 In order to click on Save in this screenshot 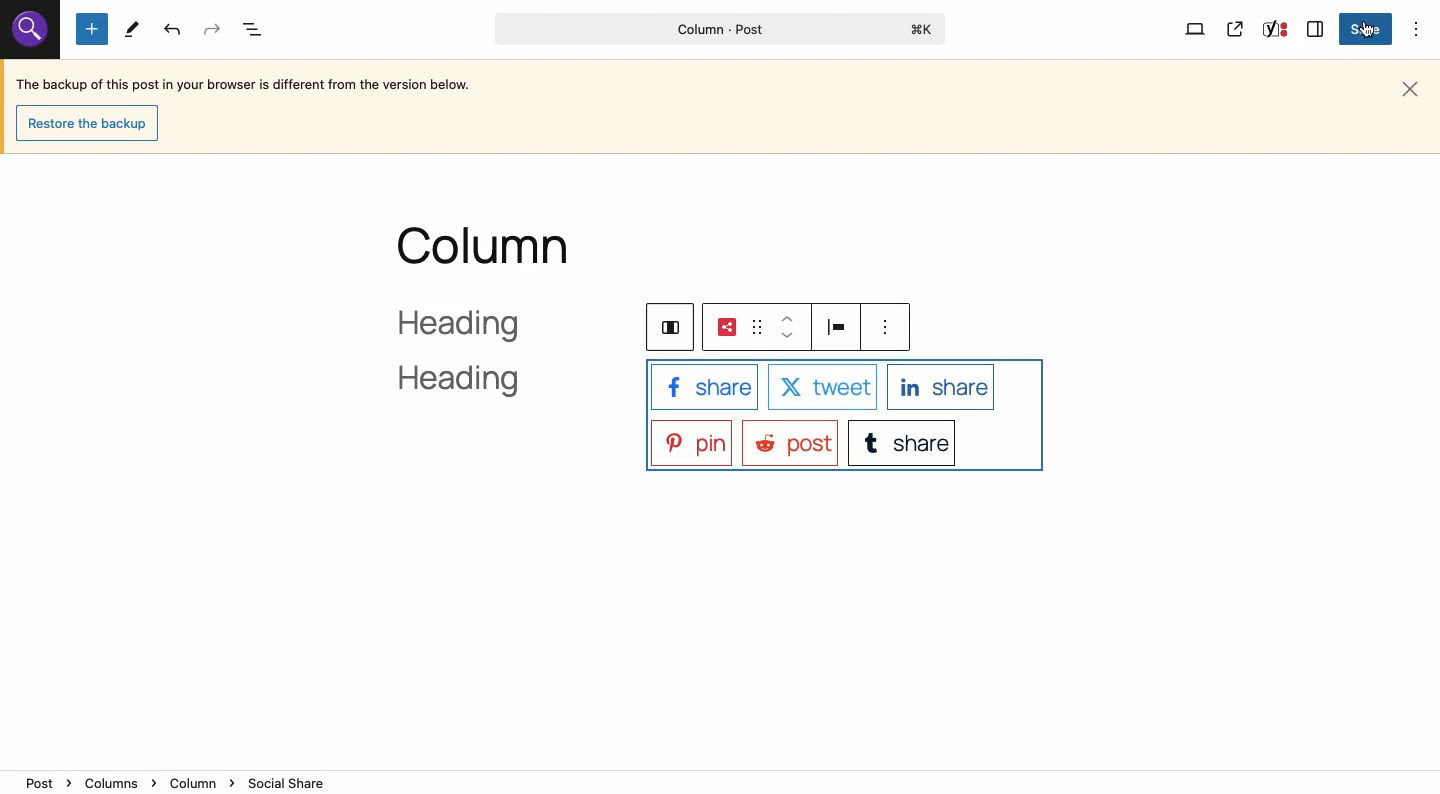, I will do `click(1368, 30)`.